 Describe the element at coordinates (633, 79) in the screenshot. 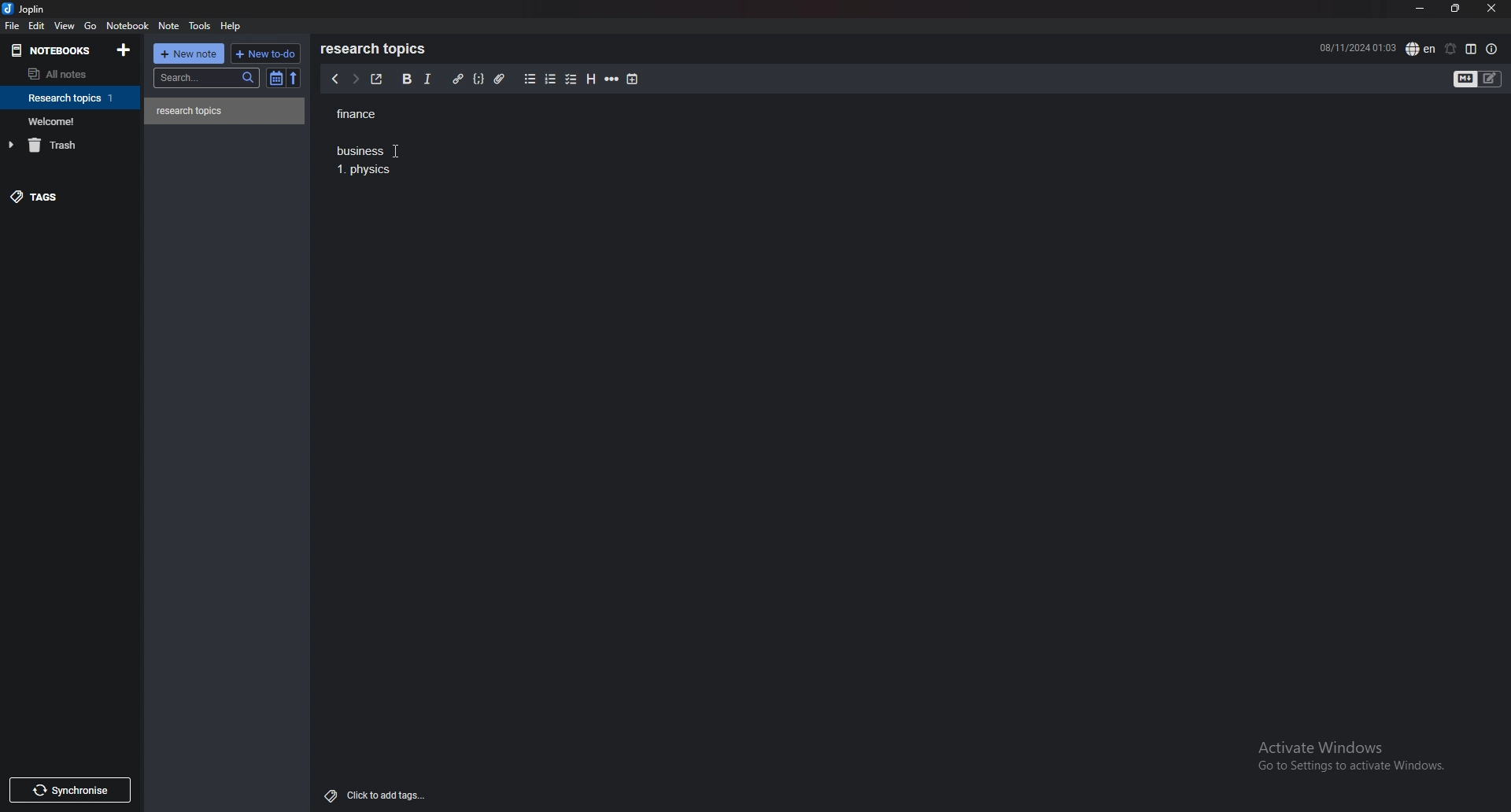

I see `add time` at that location.